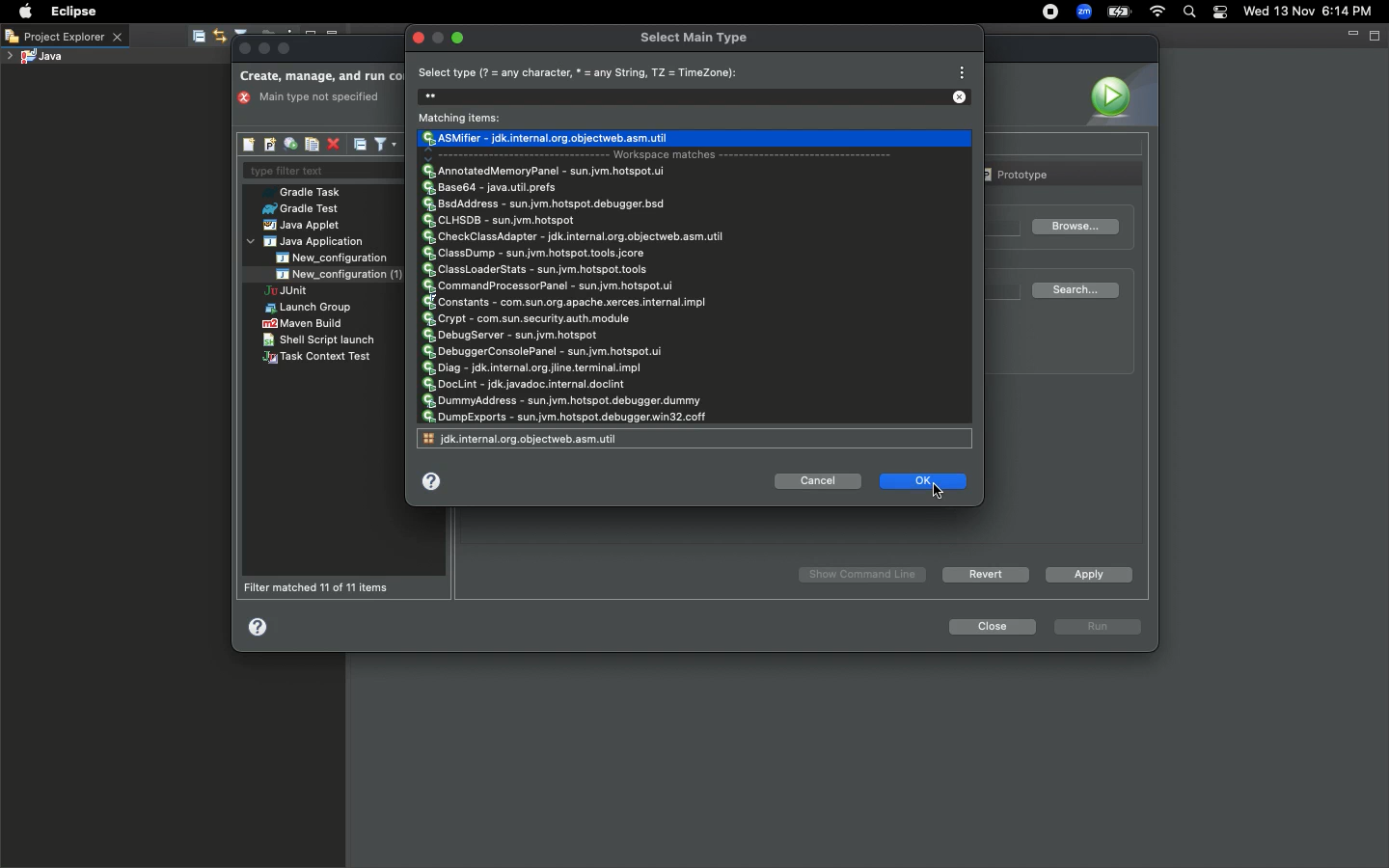 The width and height of the screenshot is (1389, 868). I want to click on Launch group, so click(311, 308).